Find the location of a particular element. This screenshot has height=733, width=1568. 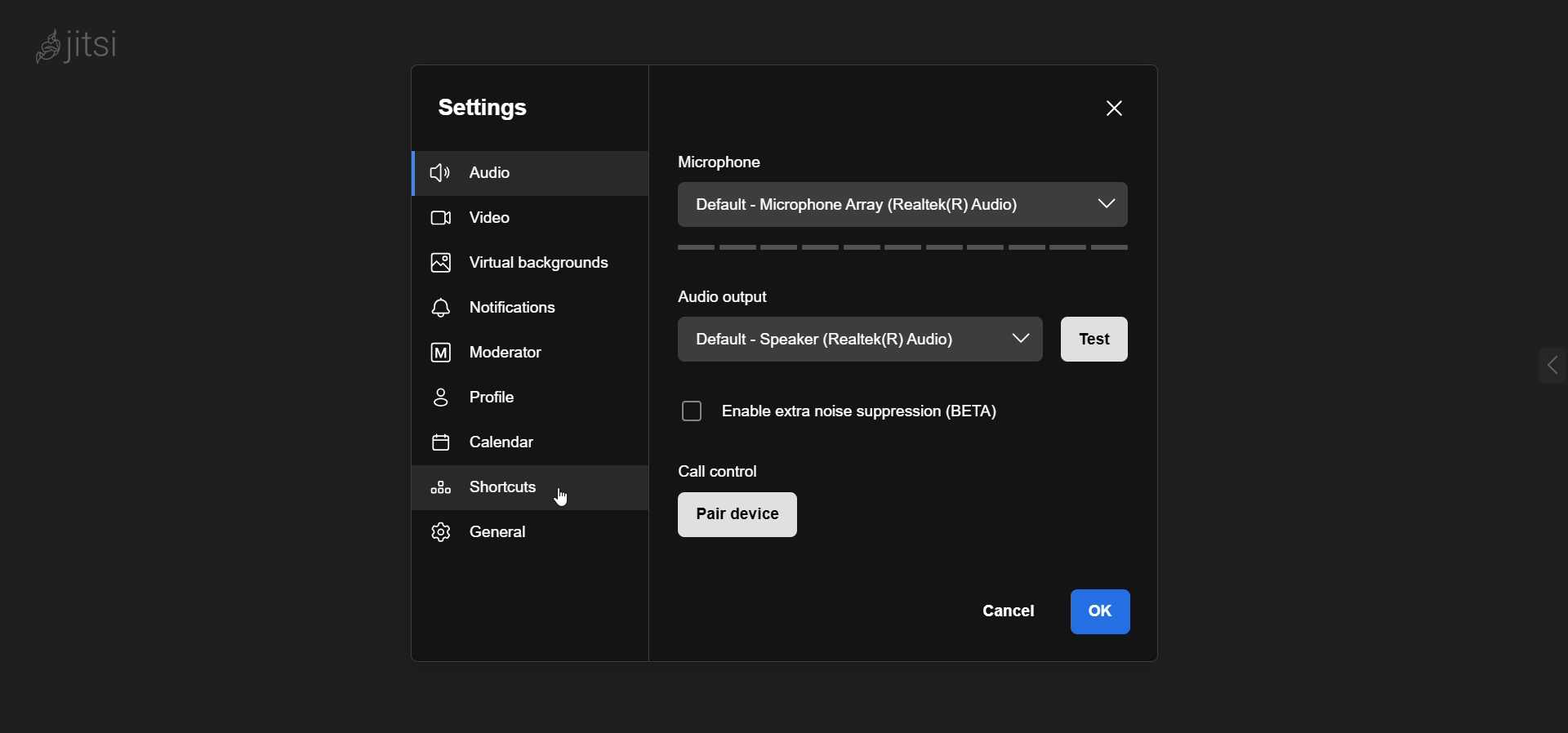

ok  is located at coordinates (1098, 610).